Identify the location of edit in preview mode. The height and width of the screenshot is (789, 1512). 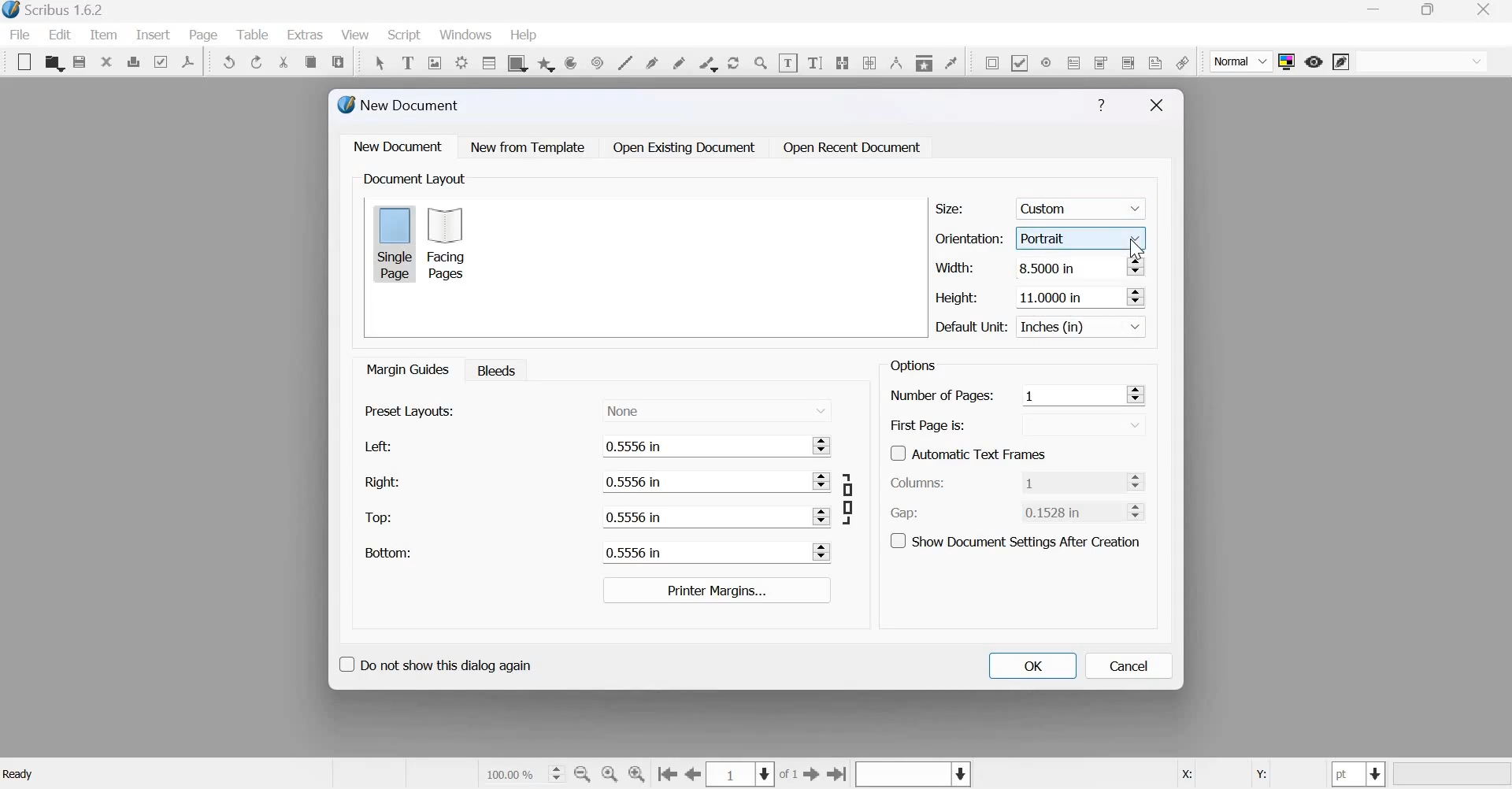
(1341, 63).